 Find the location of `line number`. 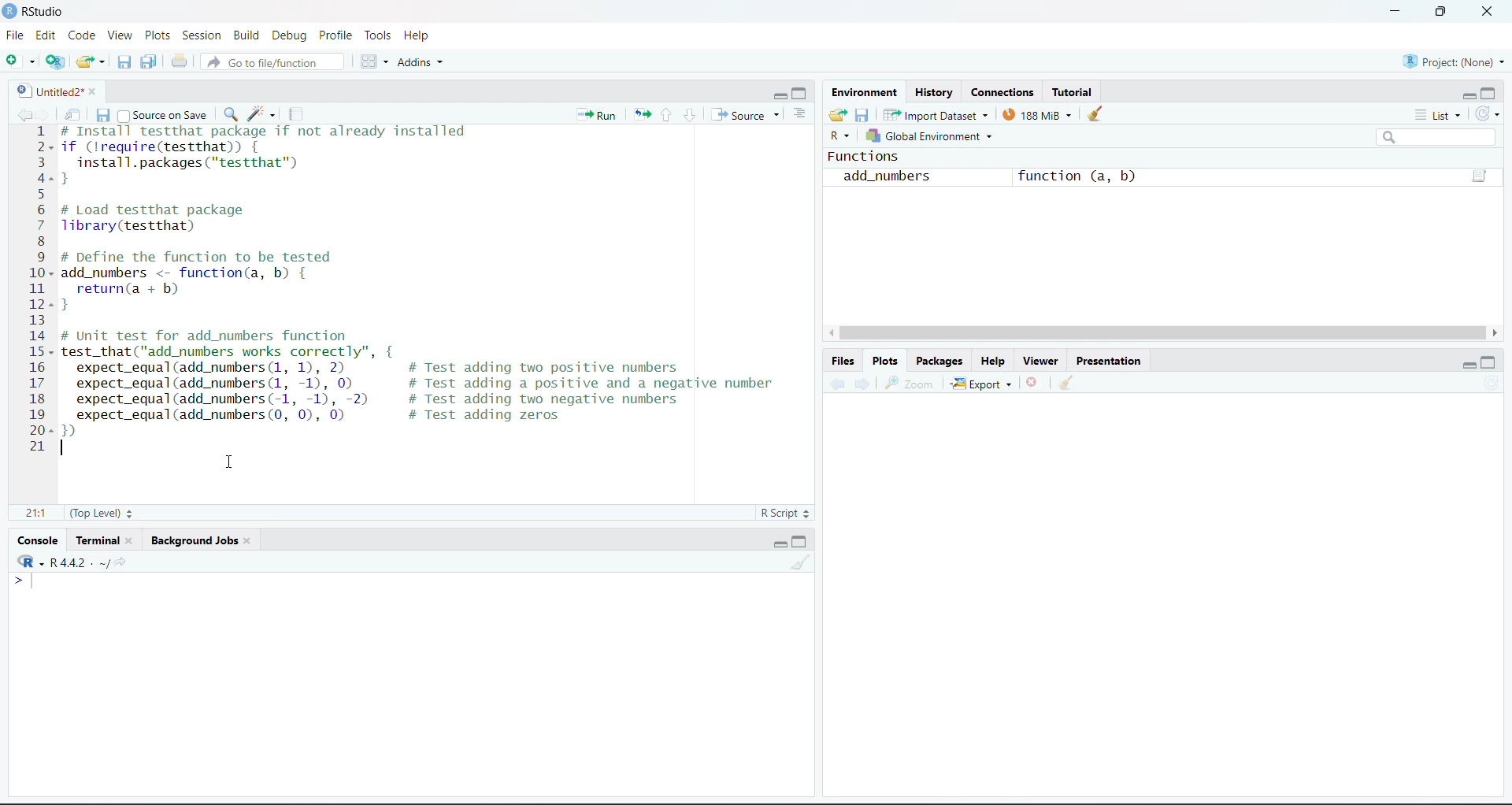

line number is located at coordinates (43, 288).